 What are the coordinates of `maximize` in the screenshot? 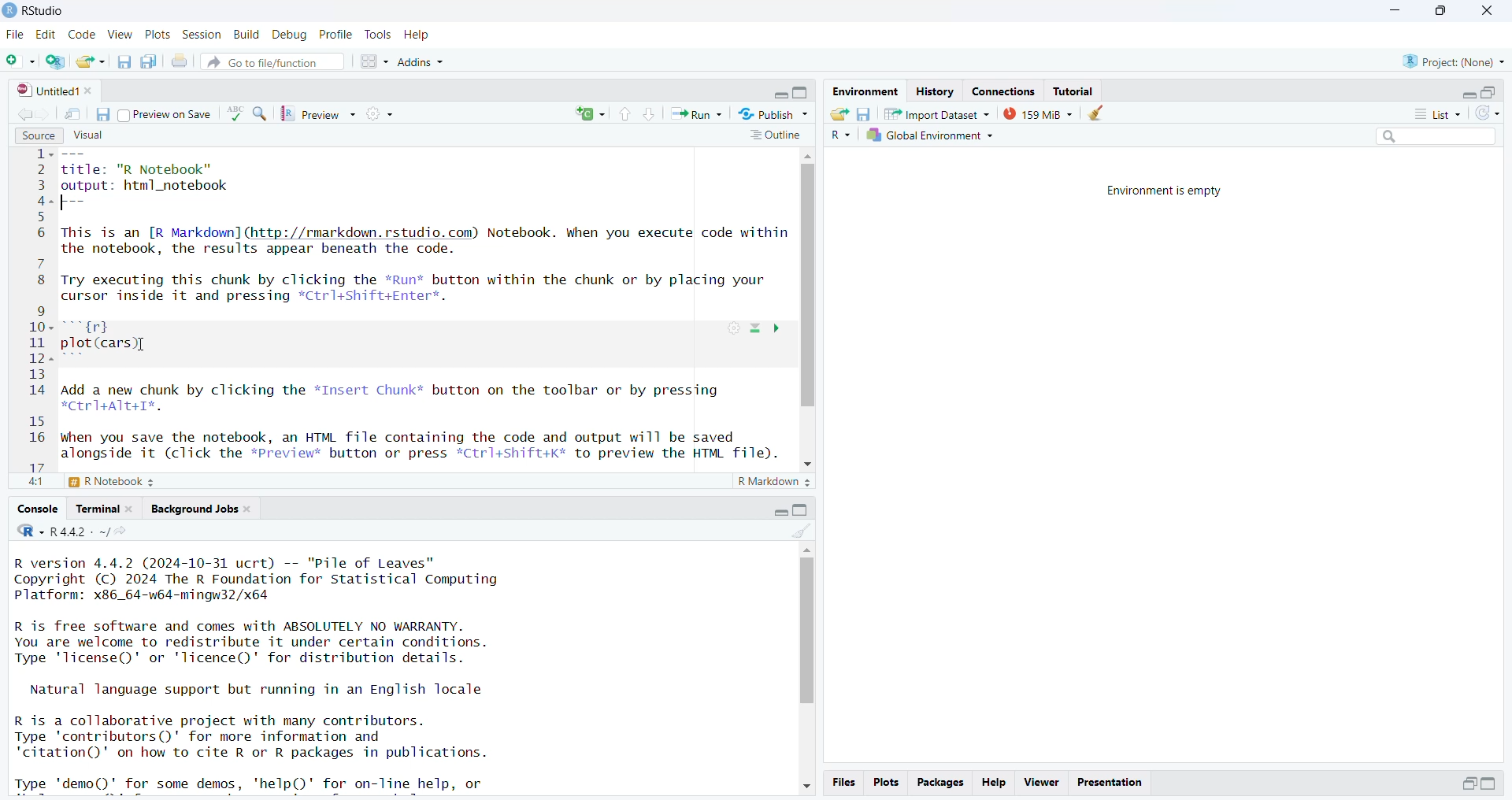 It's located at (1439, 12).